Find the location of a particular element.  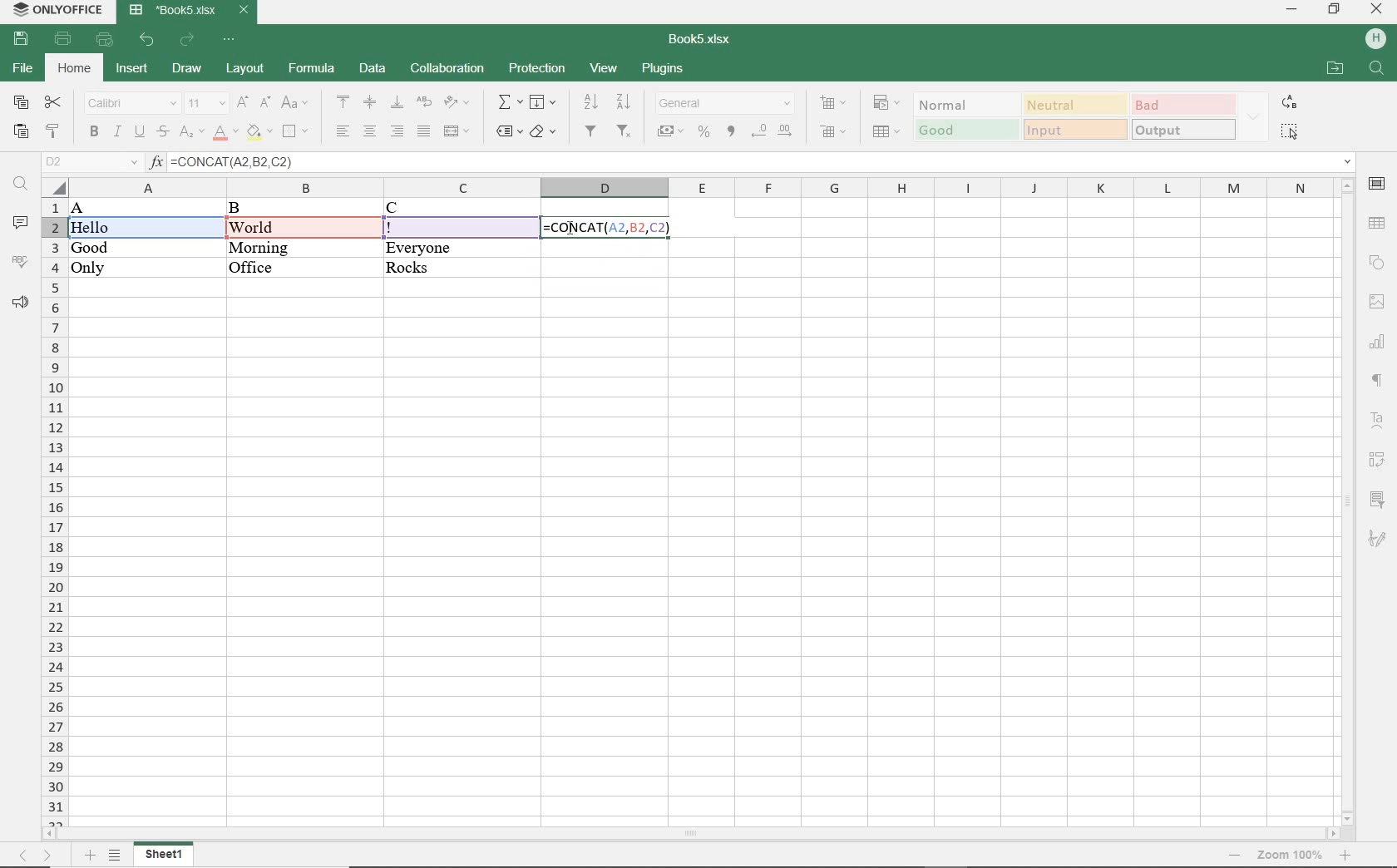

ALIGN LEFT is located at coordinates (343, 131).